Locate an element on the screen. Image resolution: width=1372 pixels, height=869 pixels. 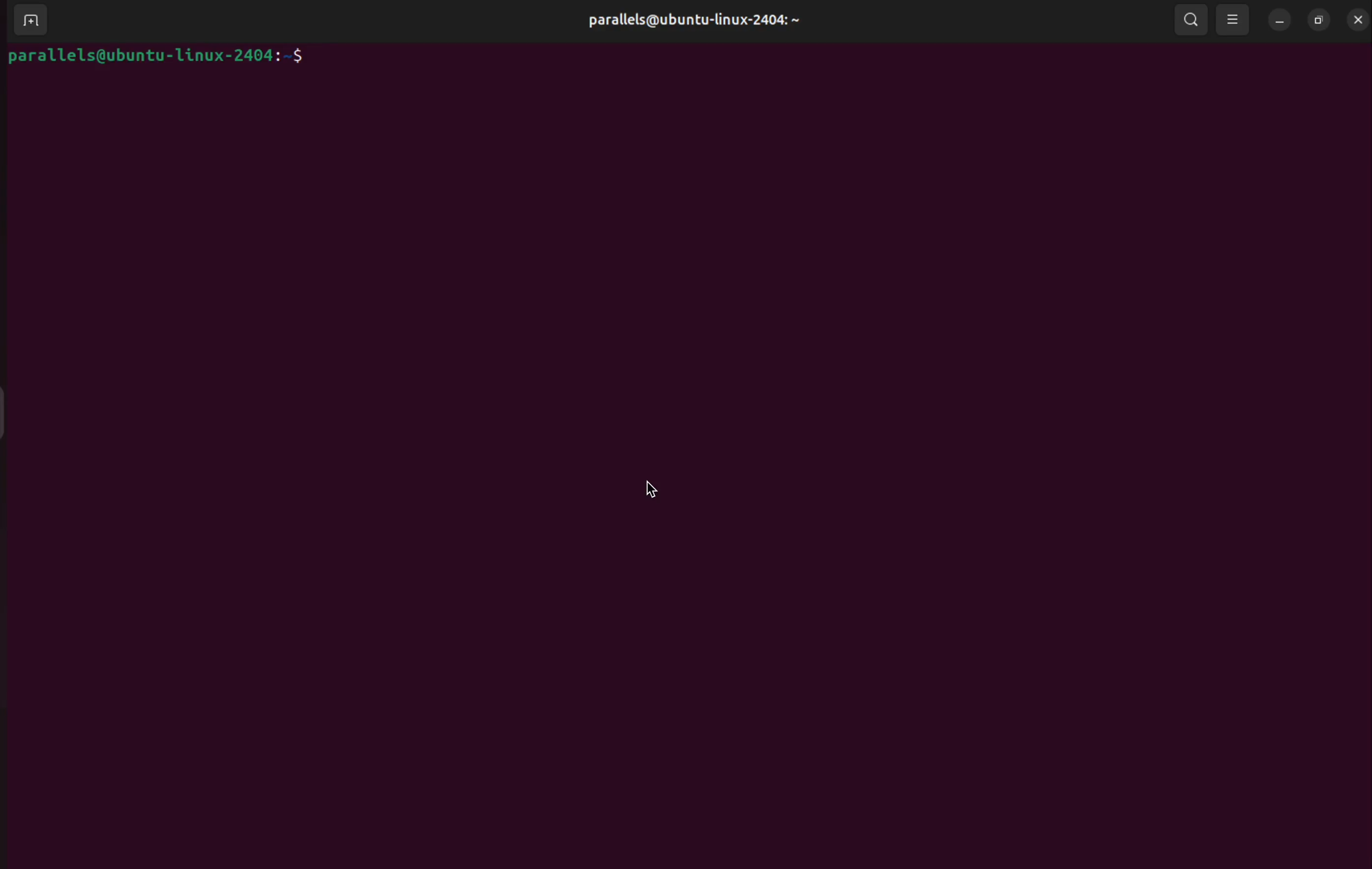
resize is located at coordinates (1317, 19).